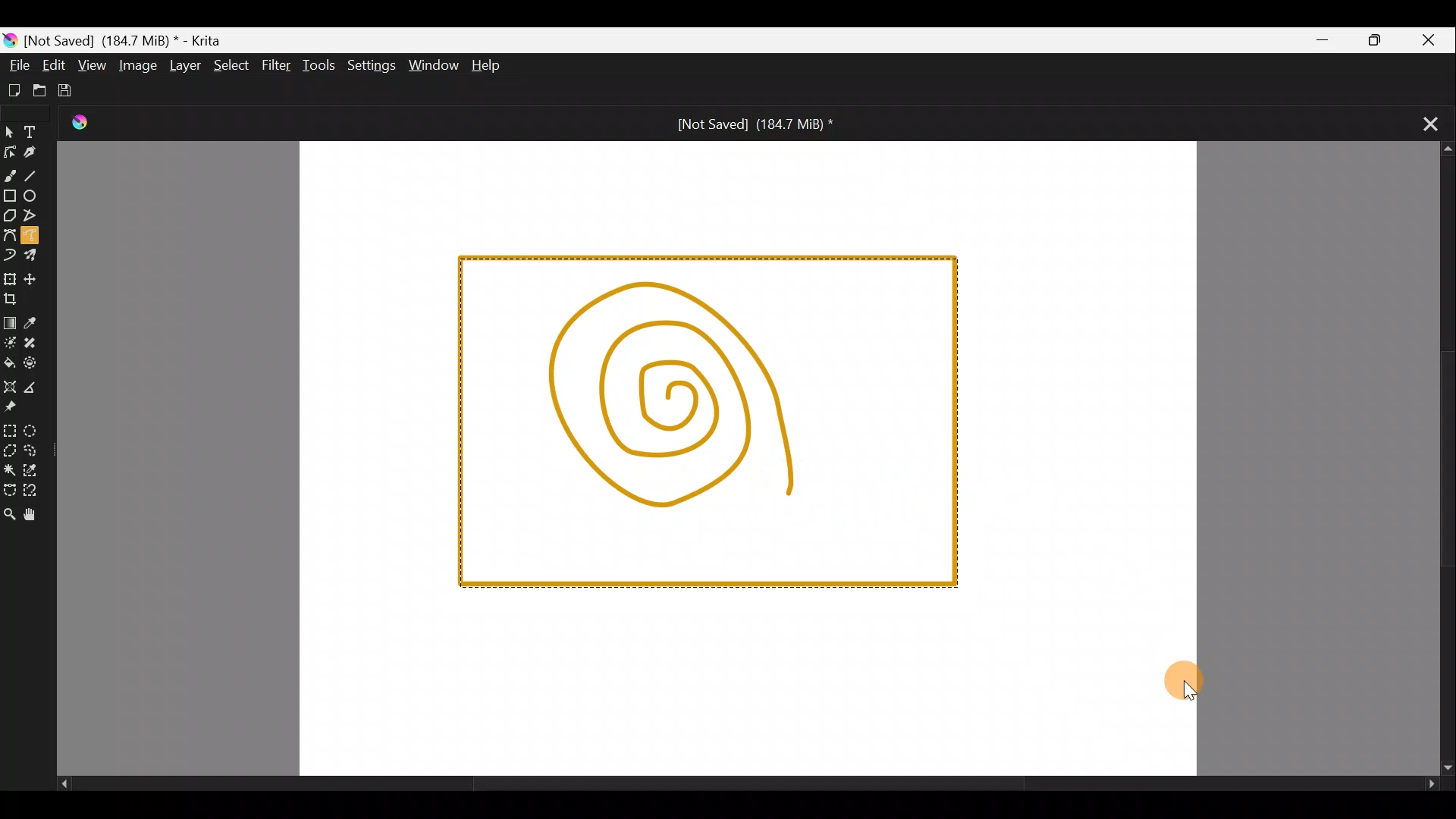 The width and height of the screenshot is (1456, 819). What do you see at coordinates (142, 66) in the screenshot?
I see `Image` at bounding box center [142, 66].